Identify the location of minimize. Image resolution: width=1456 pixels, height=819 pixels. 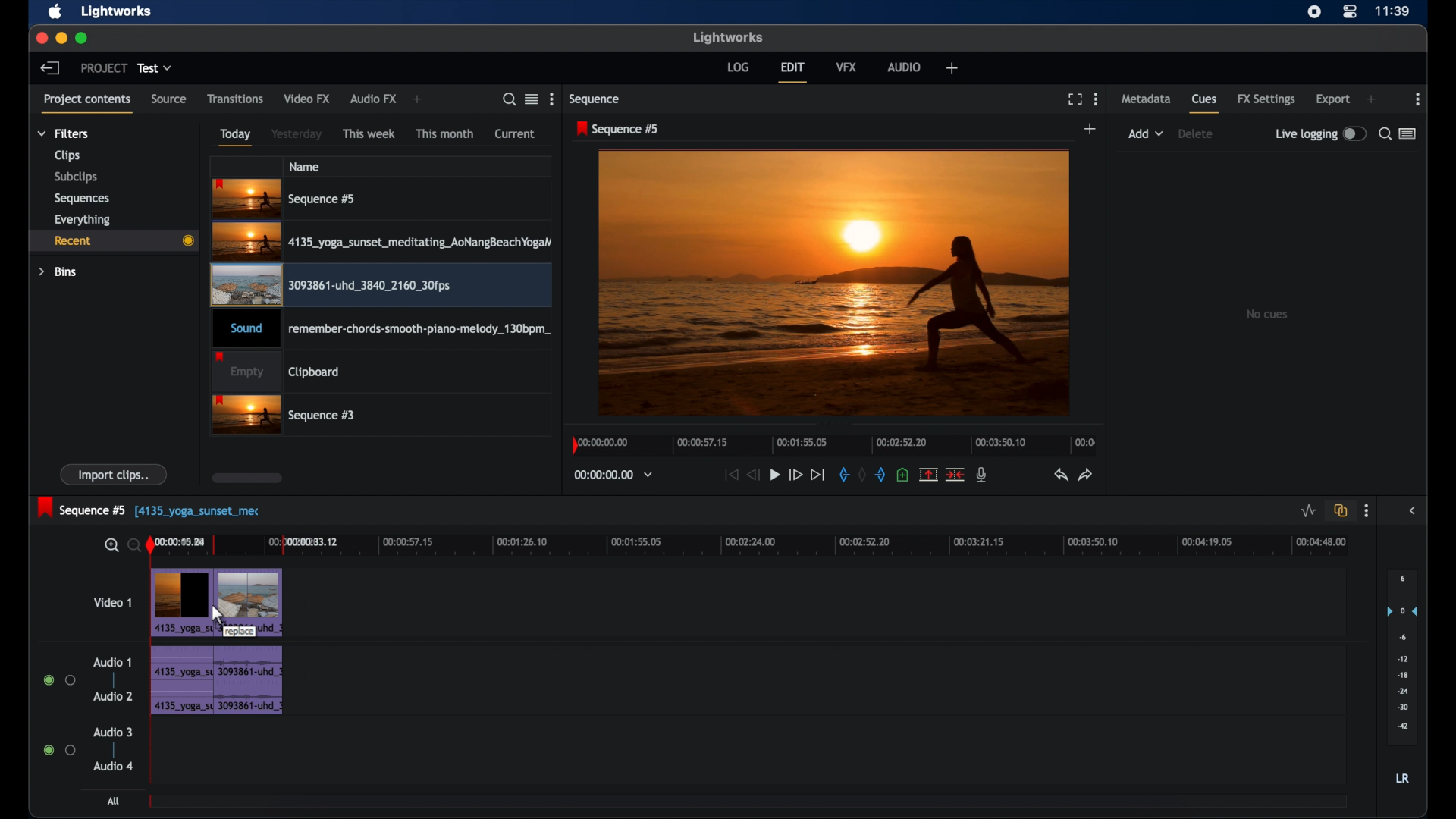
(62, 38).